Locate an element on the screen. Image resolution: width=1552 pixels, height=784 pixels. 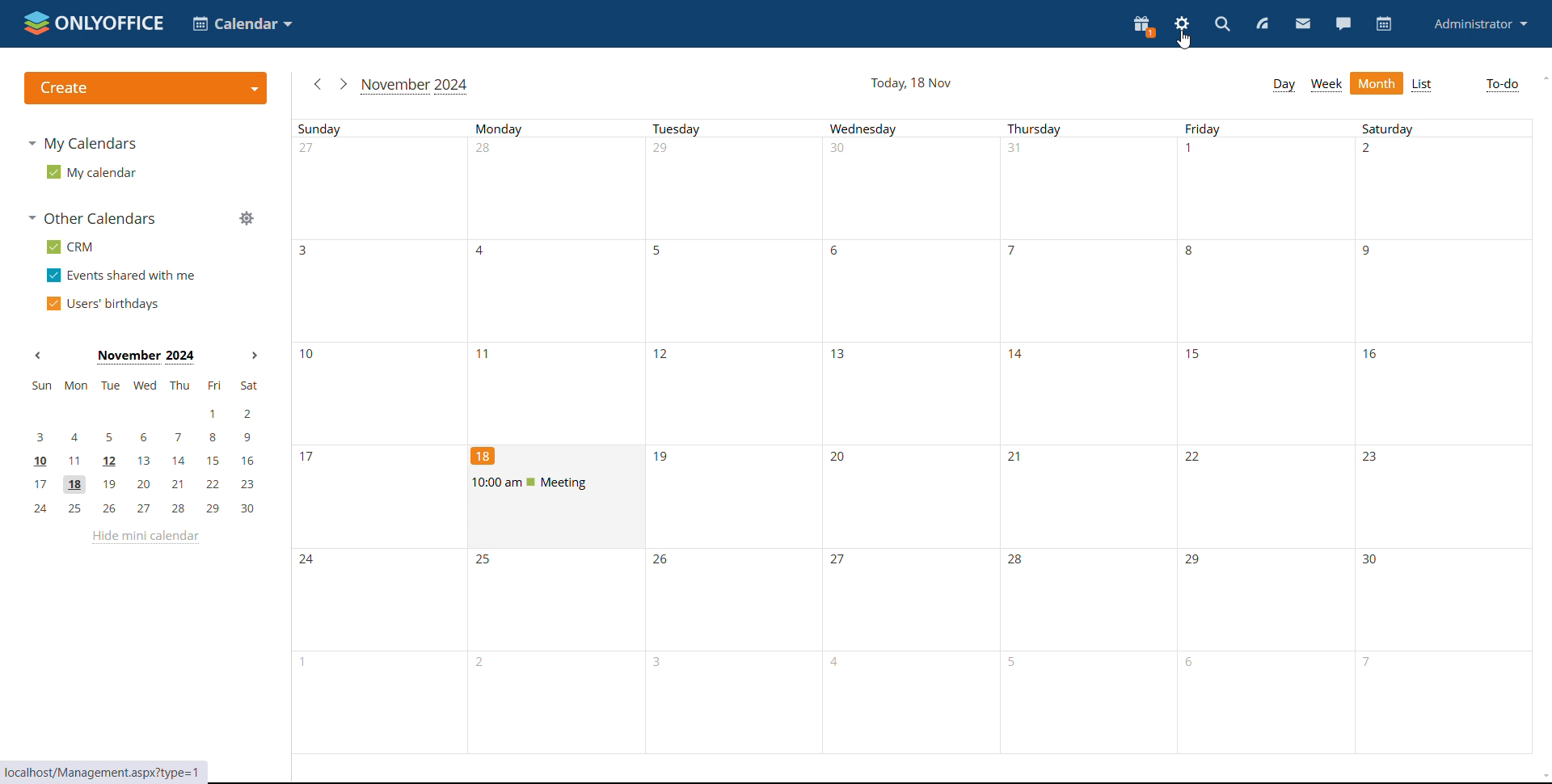
present is located at coordinates (1142, 27).